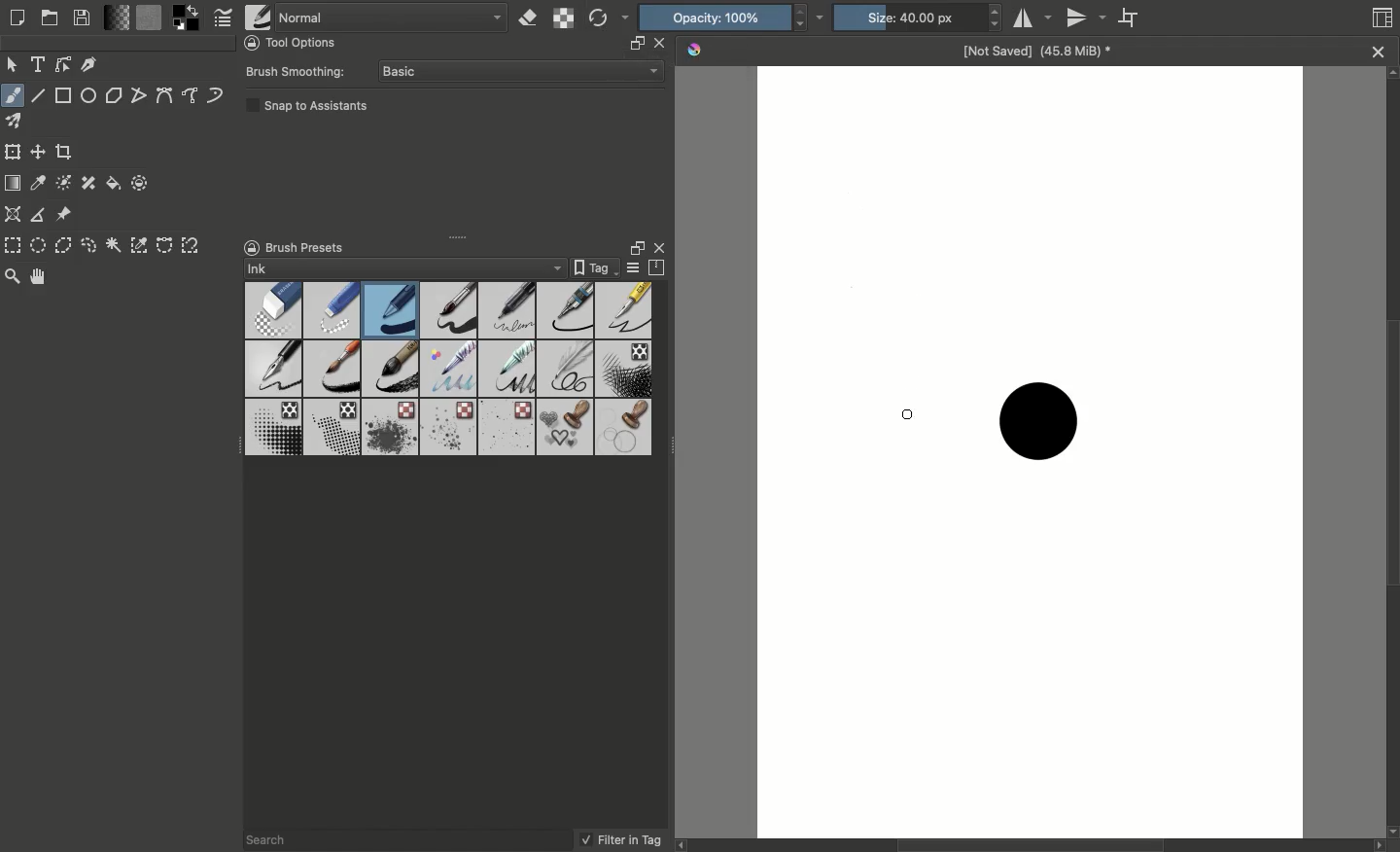 The image size is (1400, 852). Describe the element at coordinates (276, 838) in the screenshot. I see `Search` at that location.